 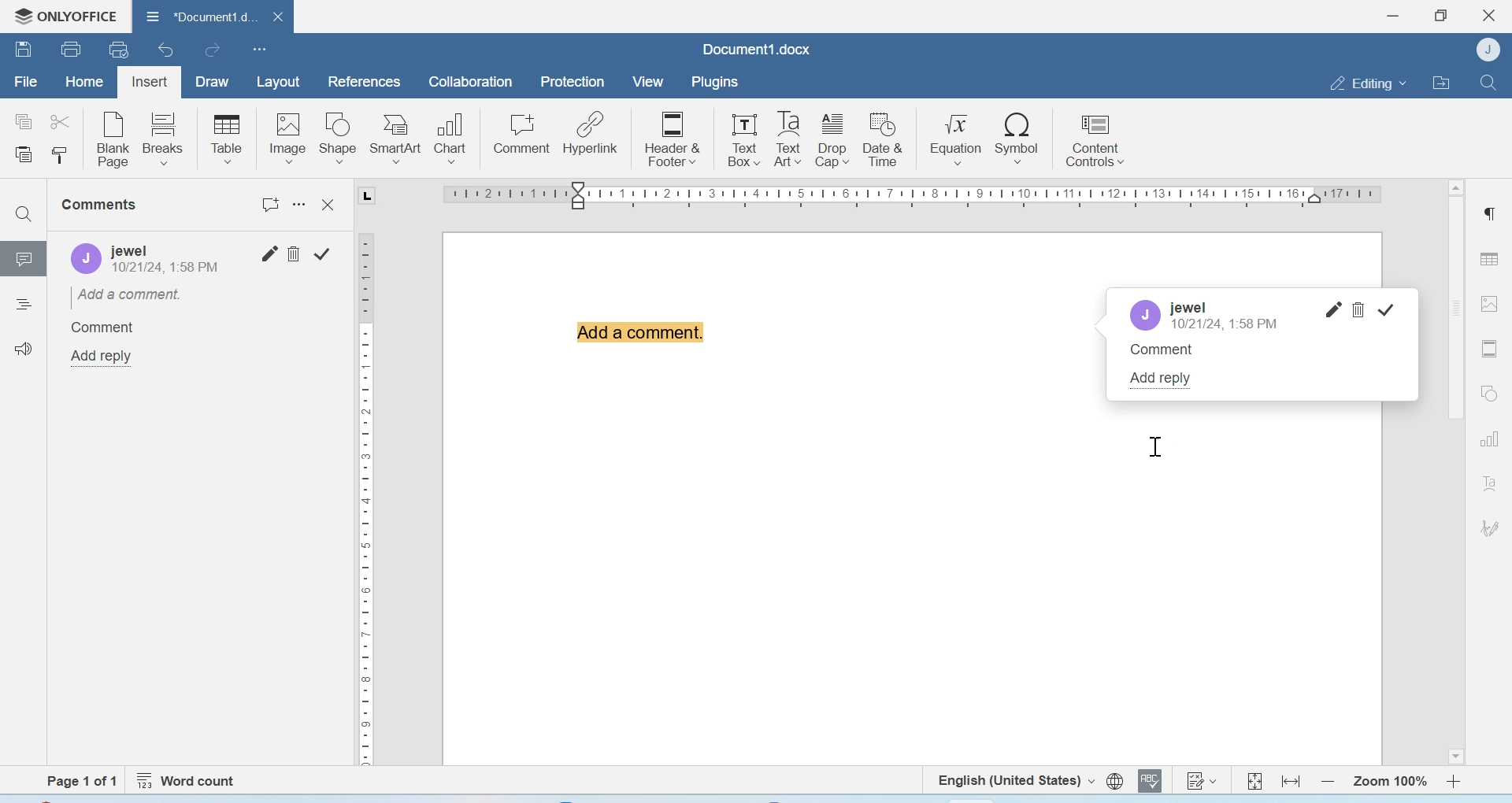 What do you see at coordinates (331, 205) in the screenshot?
I see `Close` at bounding box center [331, 205].